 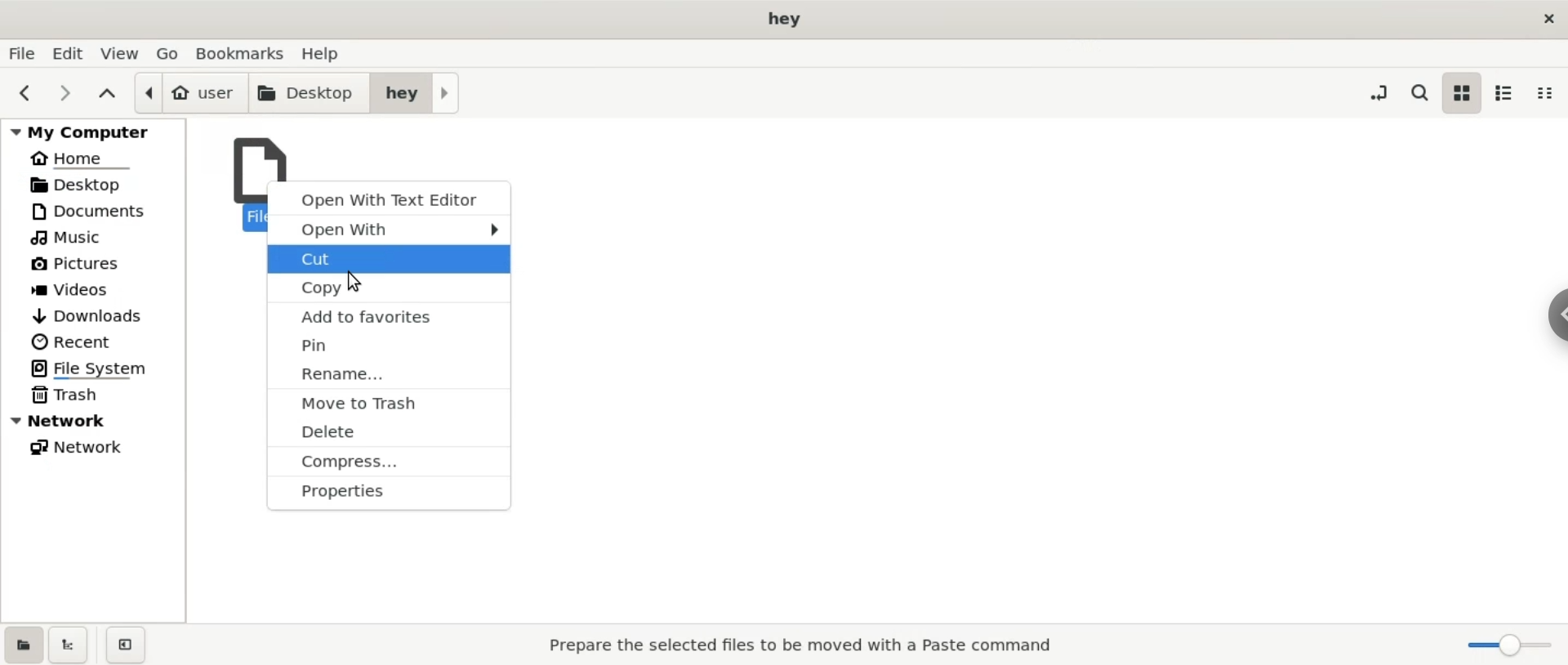 I want to click on compact view, so click(x=1551, y=94).